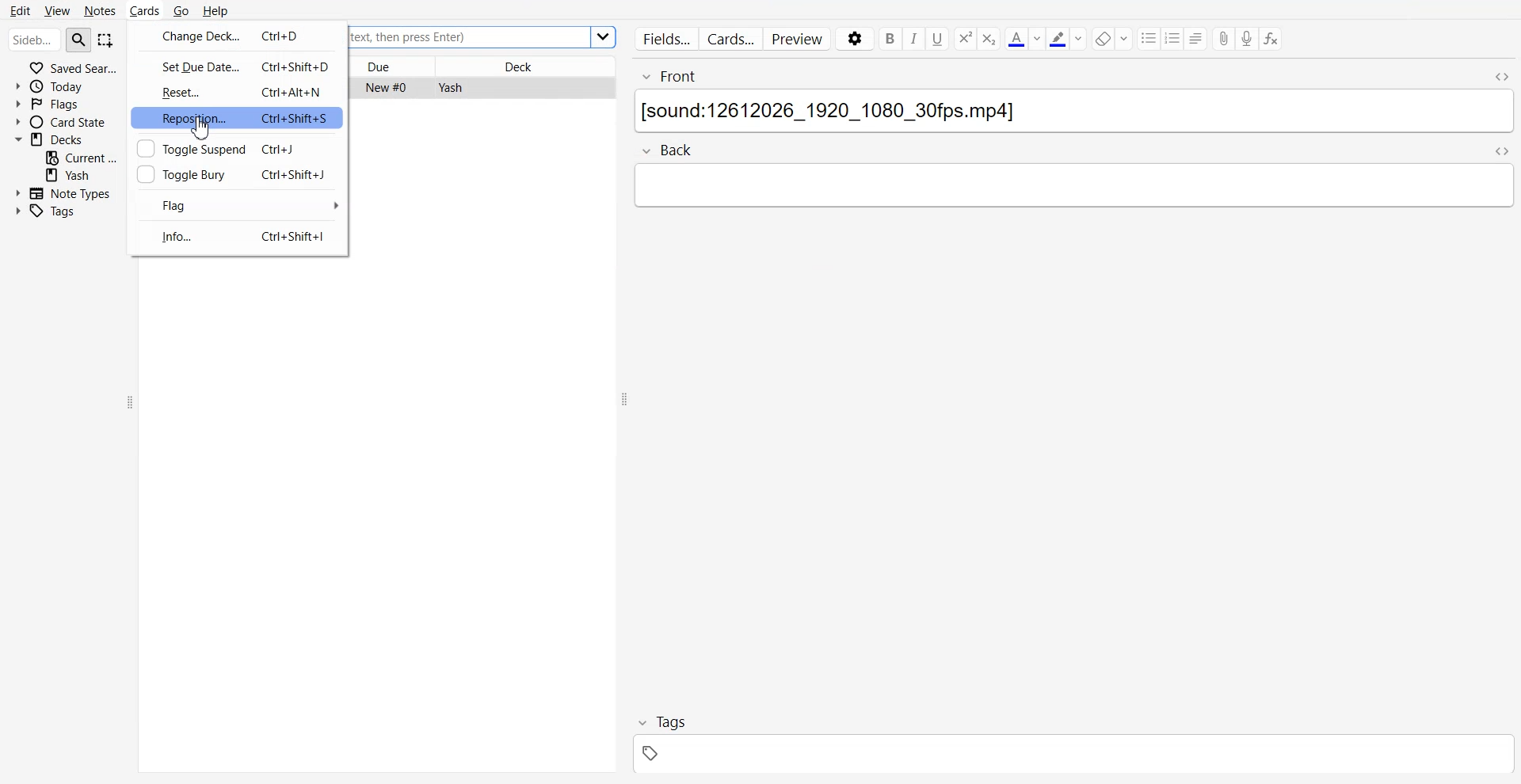  What do you see at coordinates (67, 104) in the screenshot?
I see `Flags` at bounding box center [67, 104].